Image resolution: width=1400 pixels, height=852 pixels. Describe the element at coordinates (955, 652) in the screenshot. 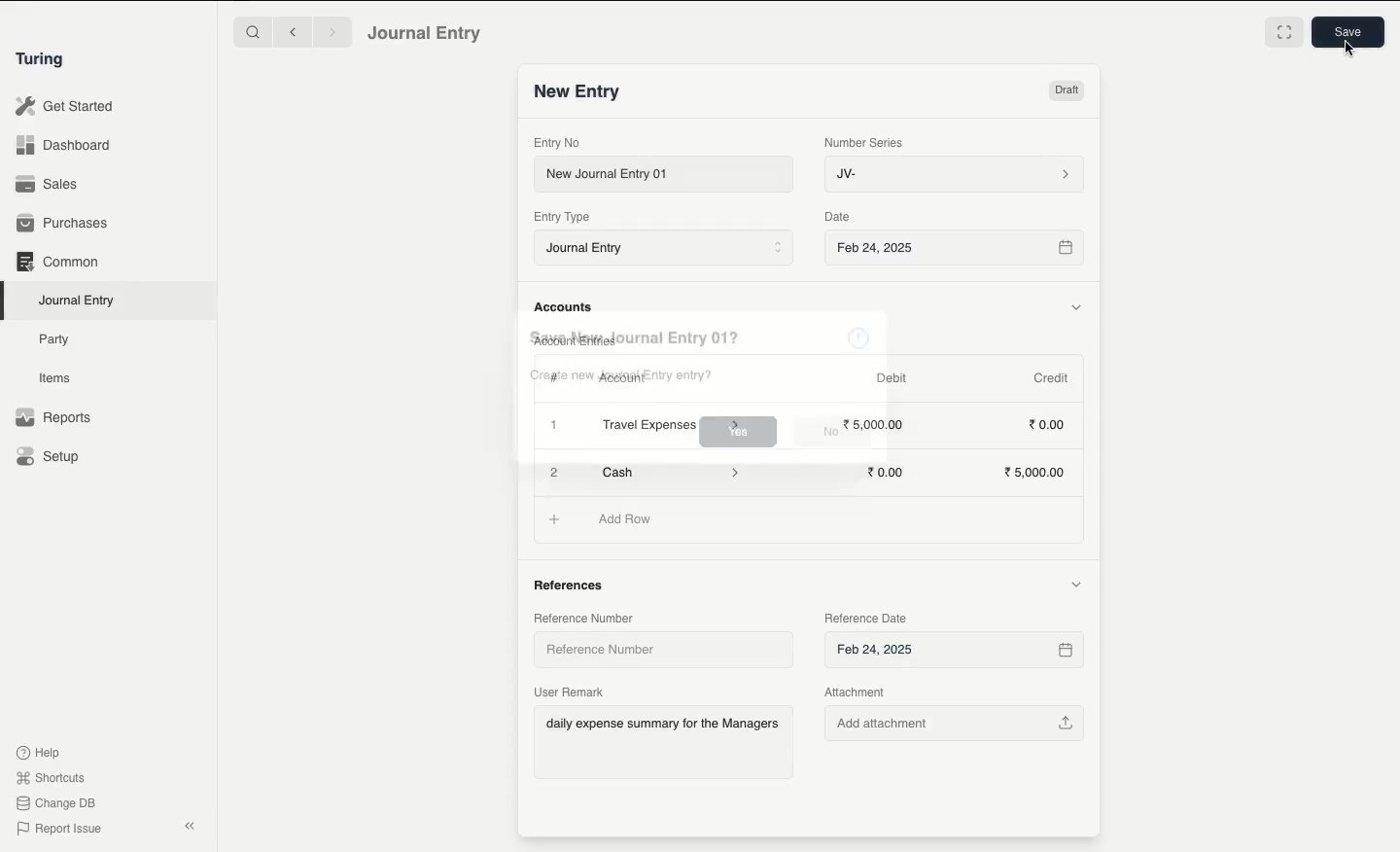

I see `Feb 24, 2025` at that location.